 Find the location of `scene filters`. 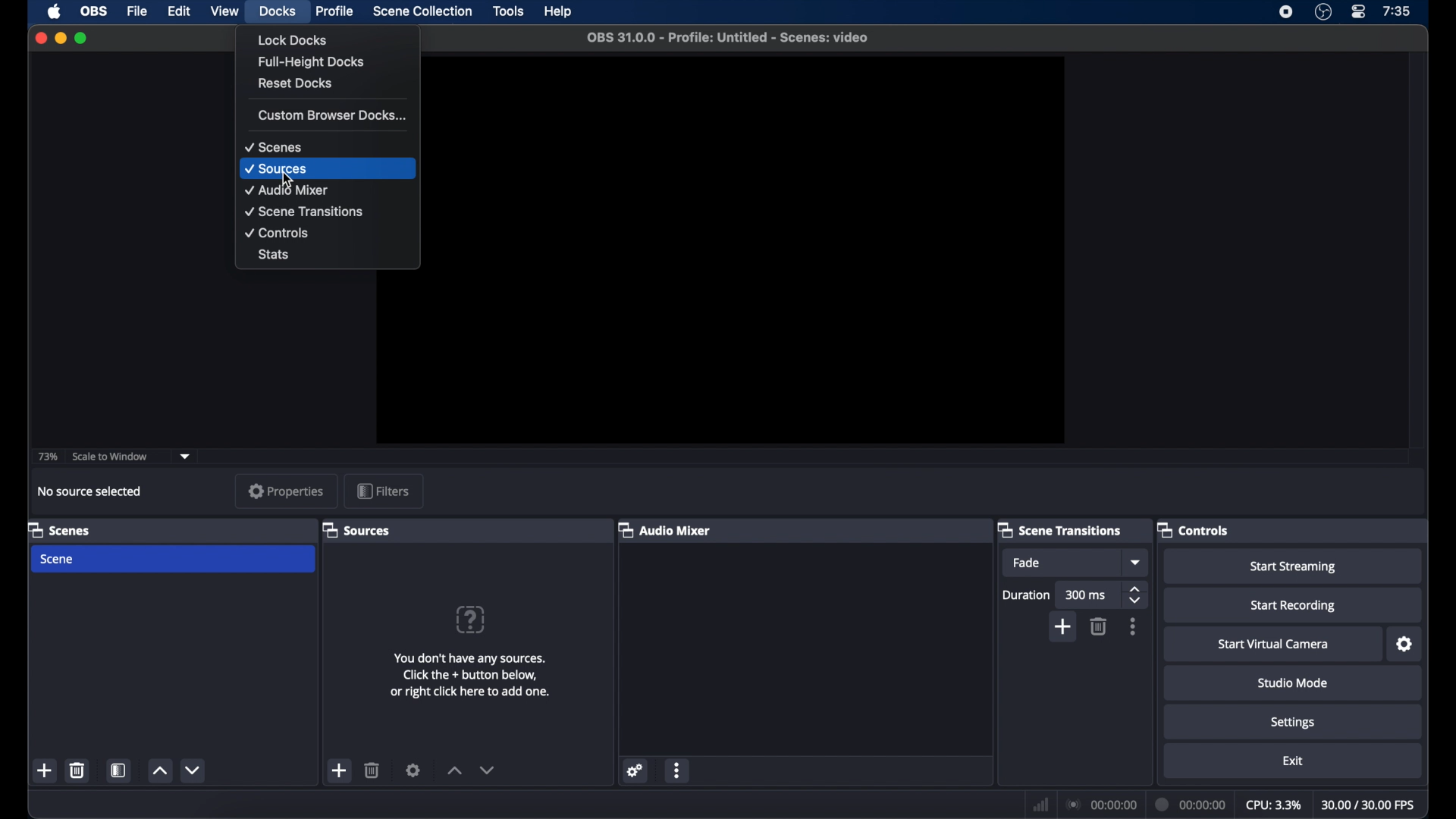

scene filters is located at coordinates (119, 770).